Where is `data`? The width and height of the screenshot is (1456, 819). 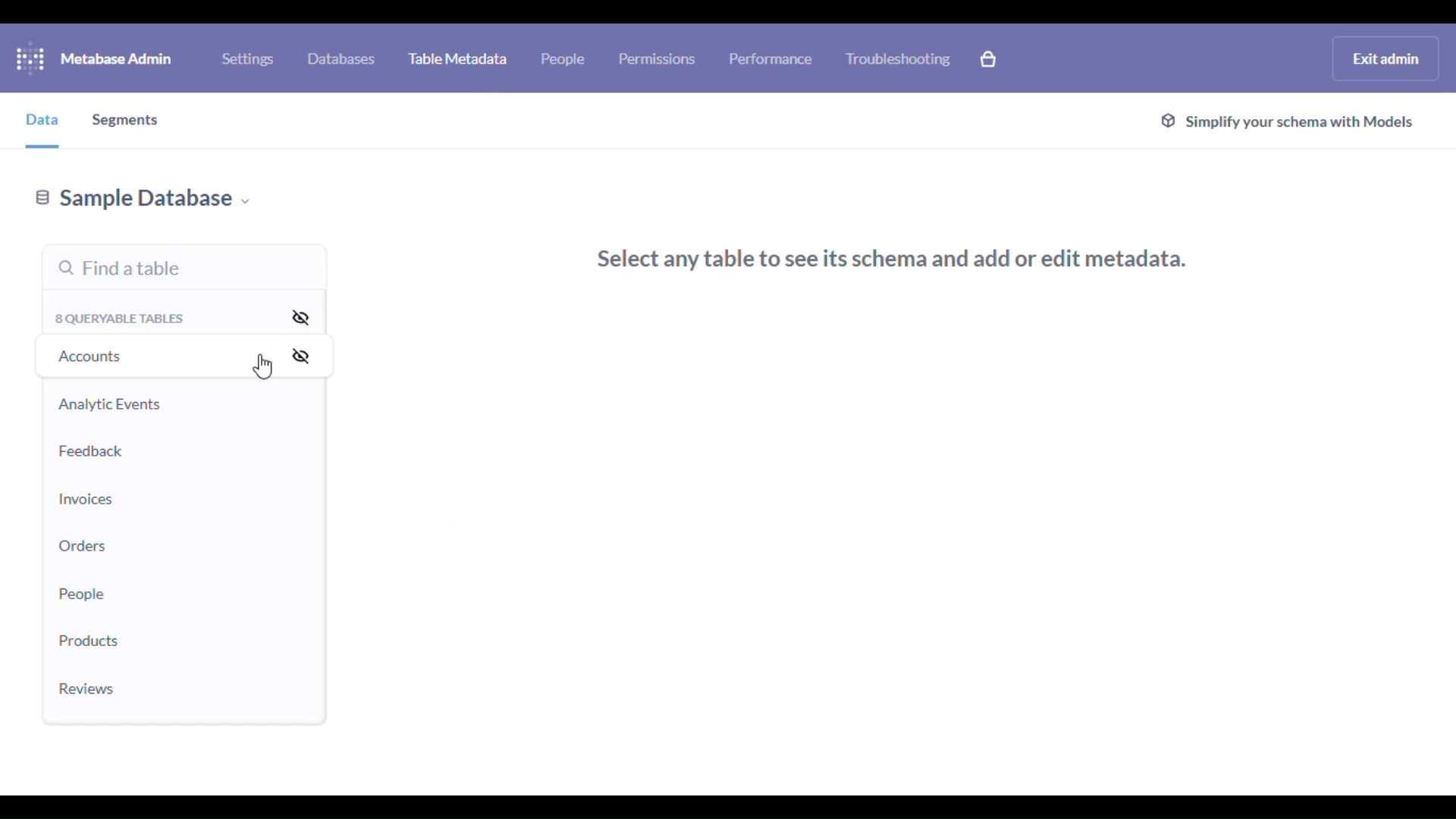
data is located at coordinates (42, 120).